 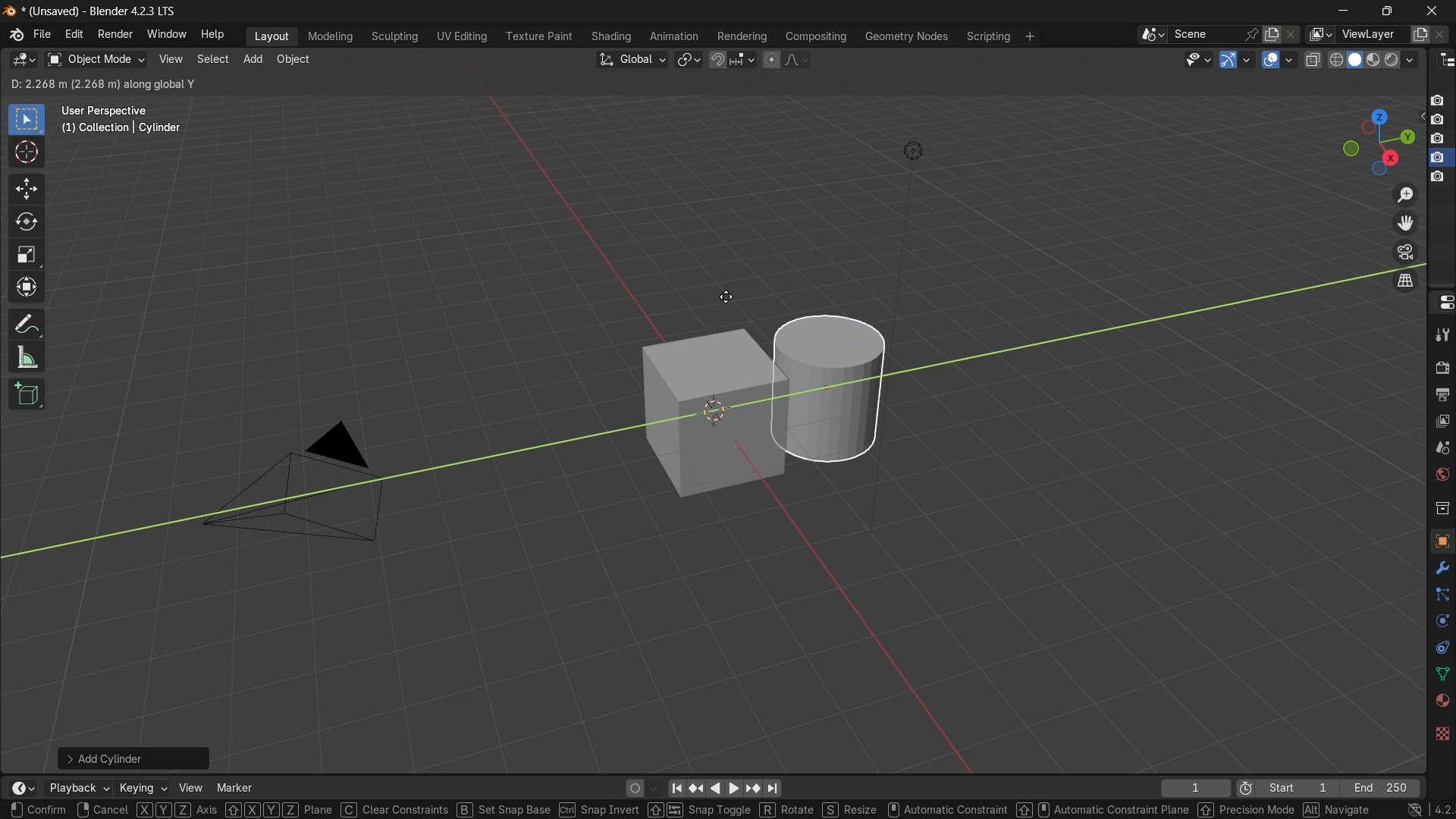 What do you see at coordinates (395, 37) in the screenshot?
I see `sculpting menu` at bounding box center [395, 37].